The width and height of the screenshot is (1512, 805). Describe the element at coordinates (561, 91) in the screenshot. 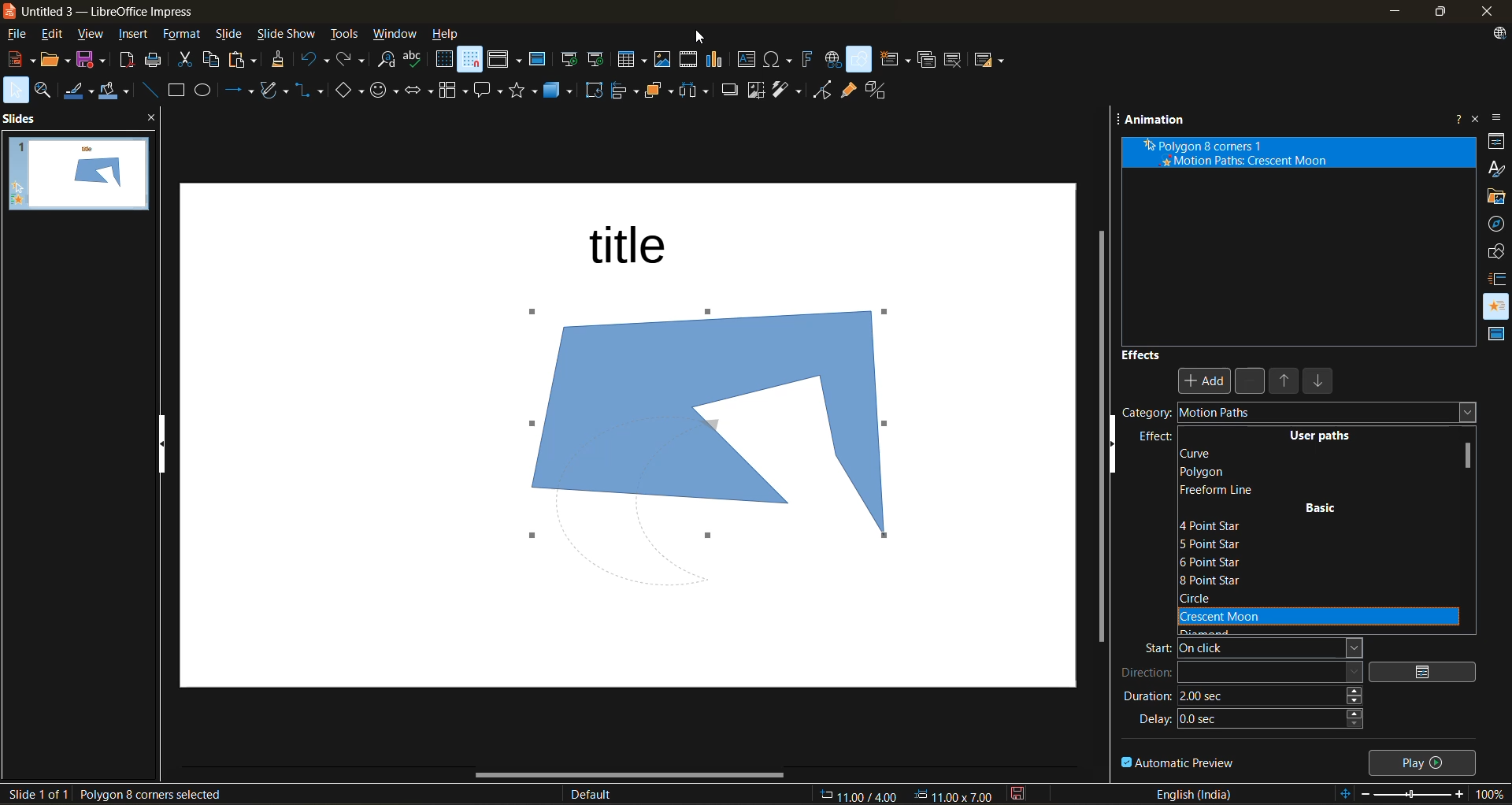

I see `3d objects` at that location.